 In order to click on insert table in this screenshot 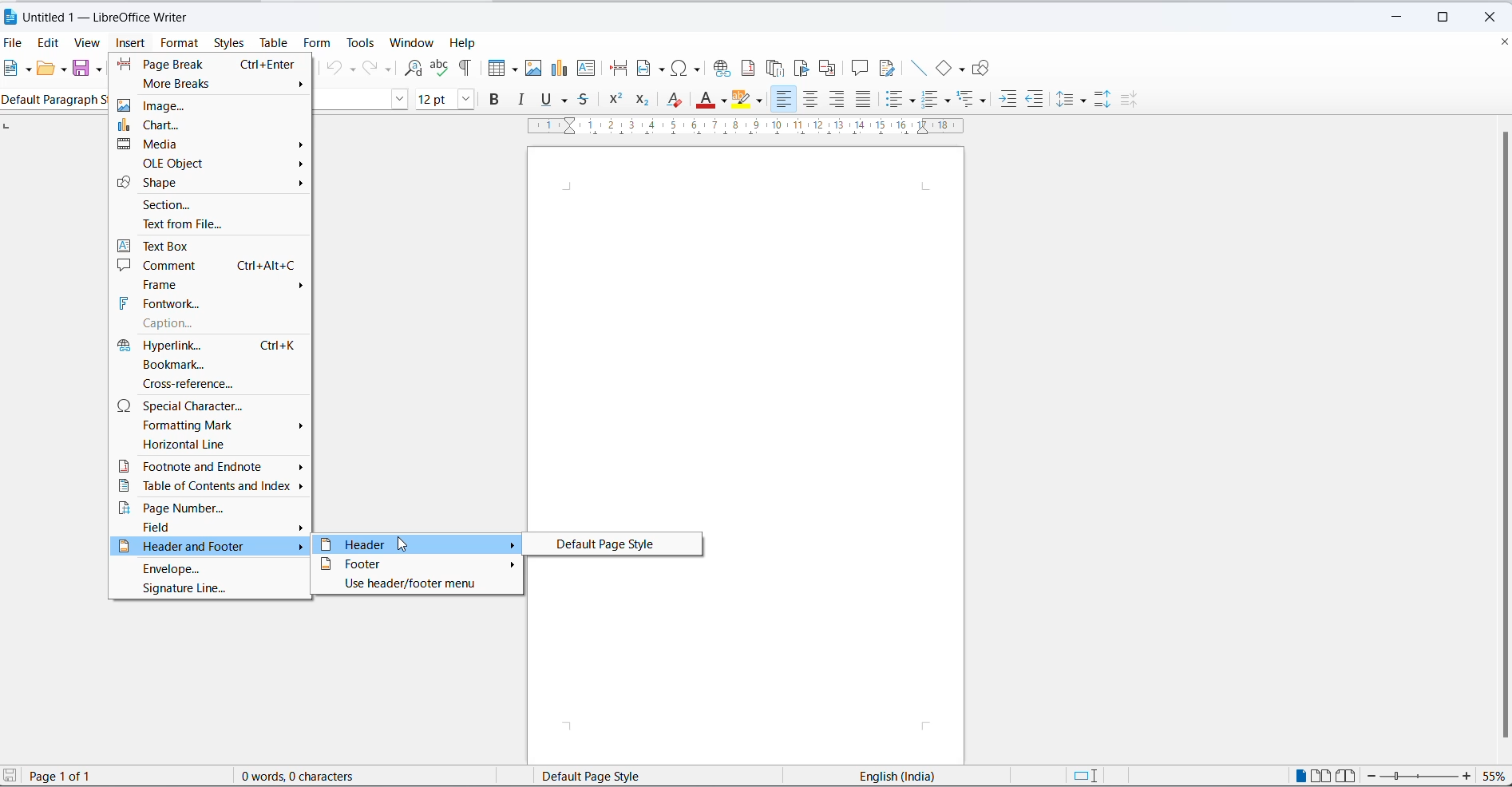, I will do `click(493, 68)`.